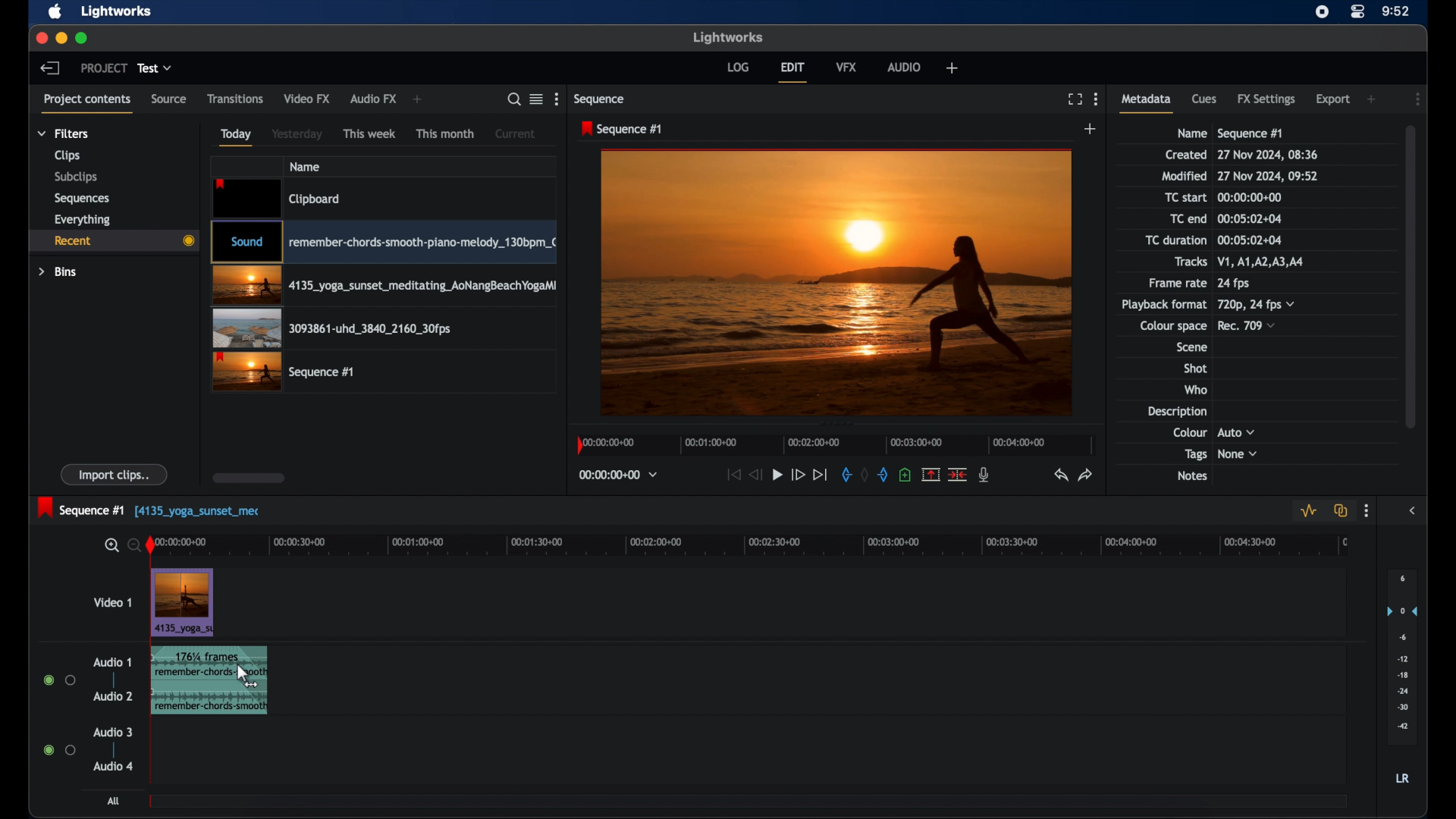 The image size is (1456, 819). Describe the element at coordinates (1396, 10) in the screenshot. I see `time` at that location.